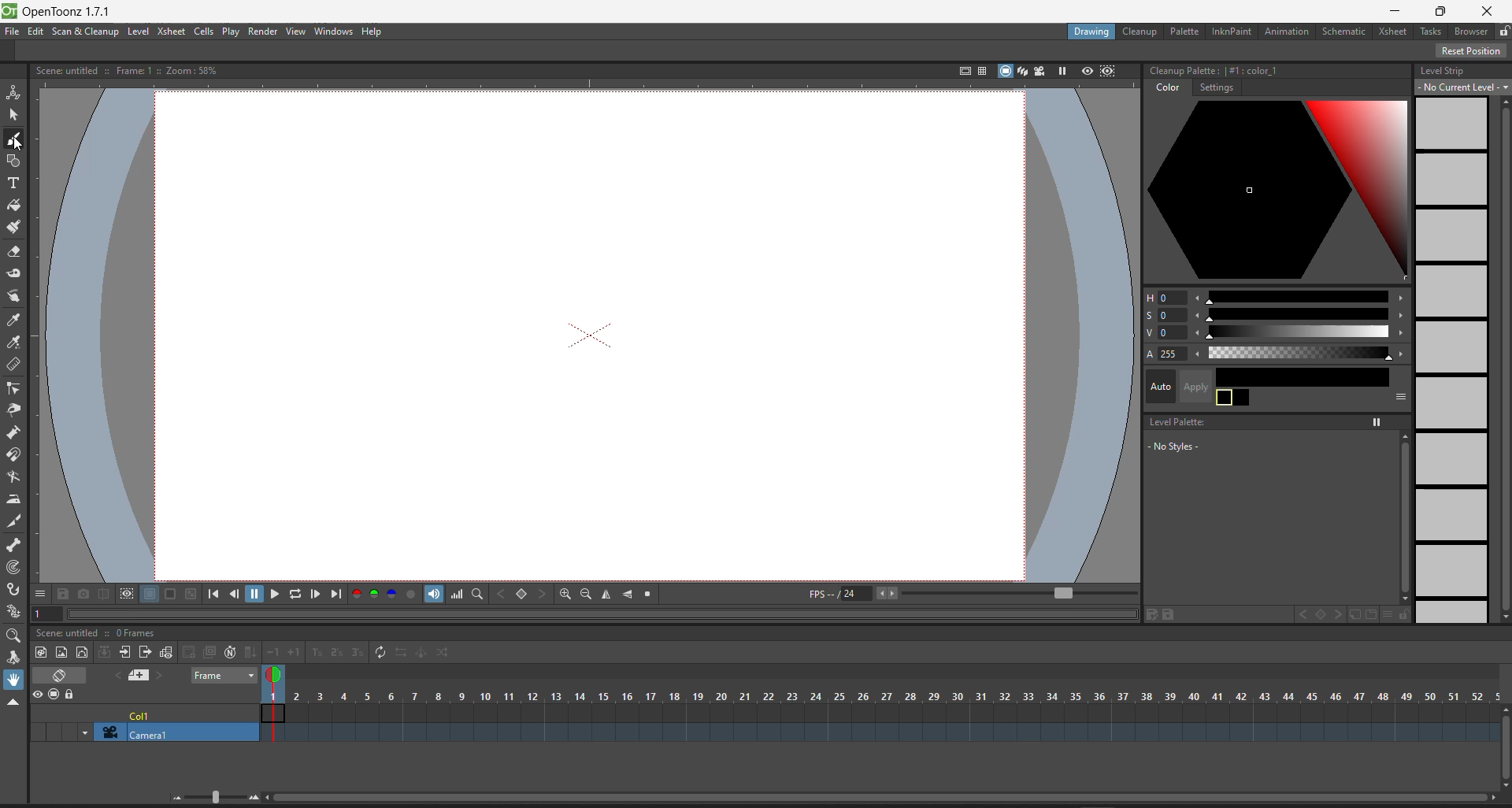 This screenshot has height=808, width=1512. Describe the element at coordinates (1490, 11) in the screenshot. I see `close` at that location.